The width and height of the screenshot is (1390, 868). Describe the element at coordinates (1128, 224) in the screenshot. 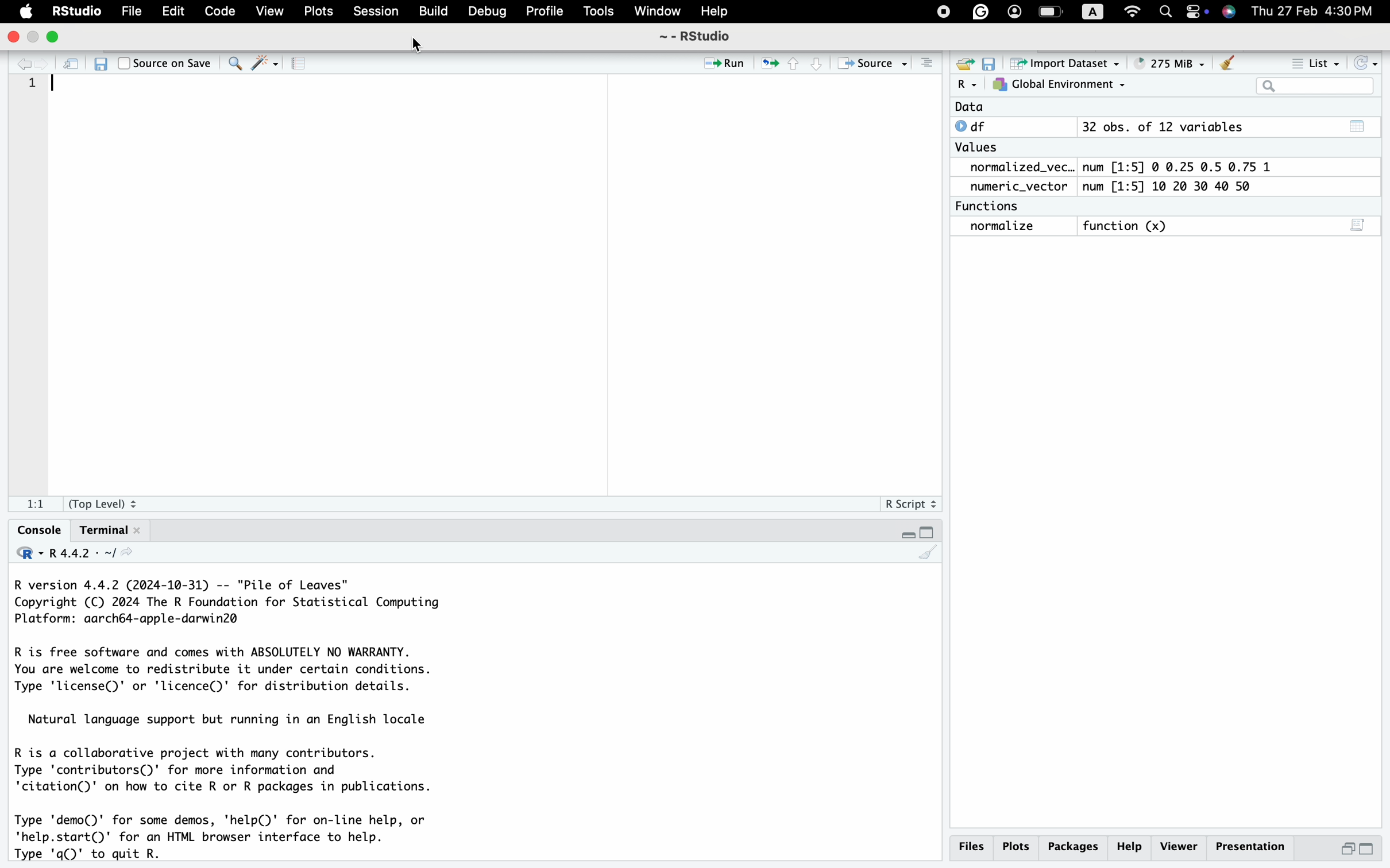

I see `function (x)` at that location.